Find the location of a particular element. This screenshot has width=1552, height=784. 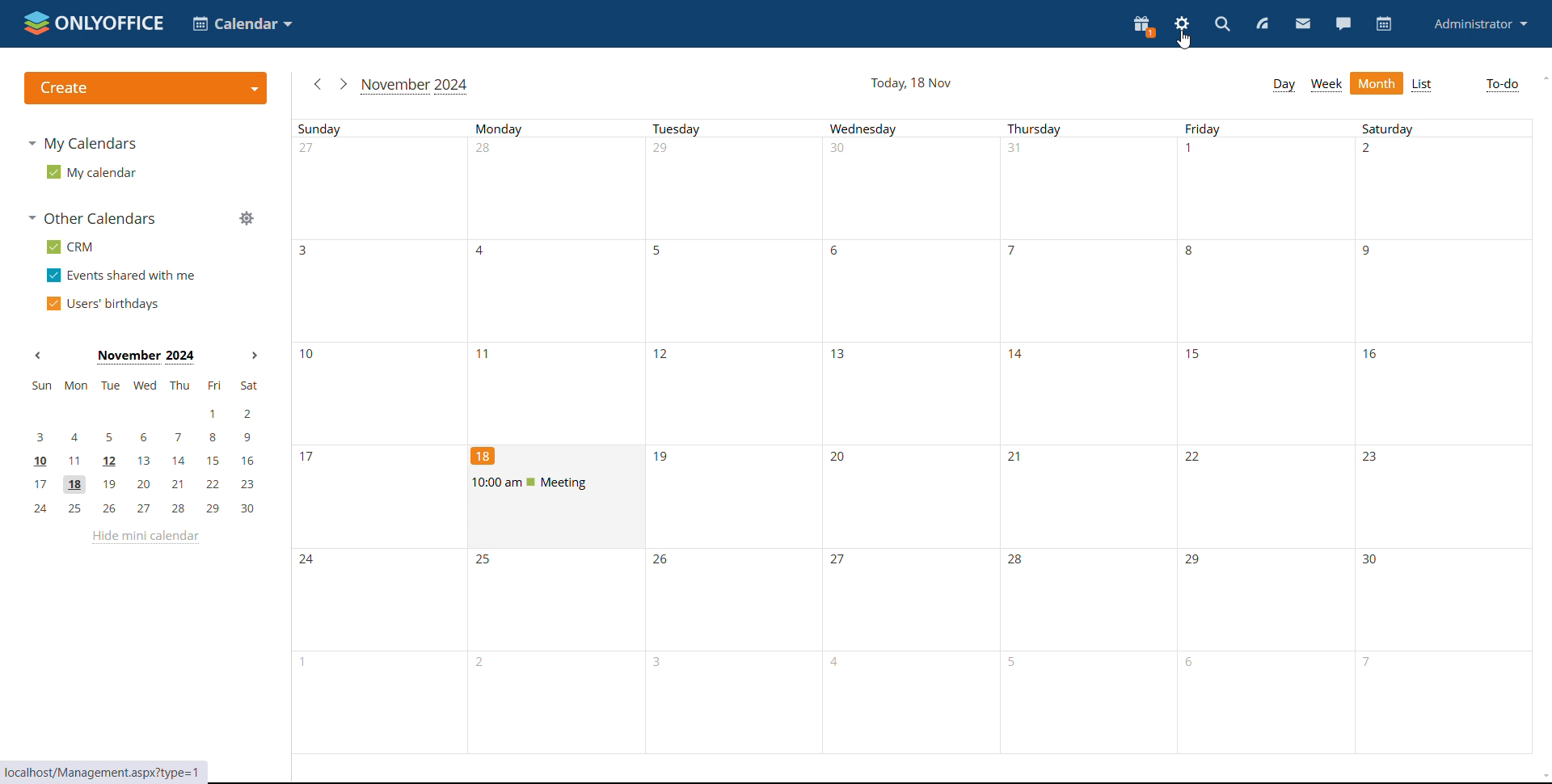

manage is located at coordinates (246, 219).